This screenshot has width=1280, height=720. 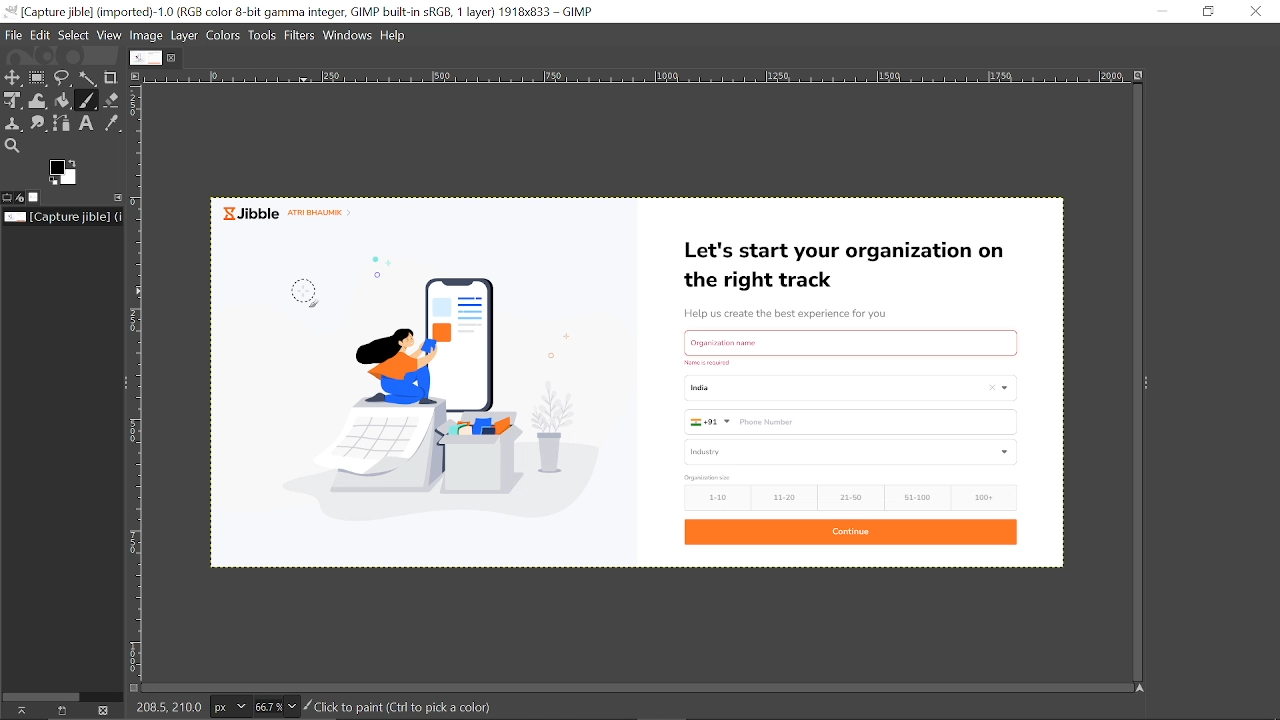 I want to click on Tool options, so click(x=8, y=197).